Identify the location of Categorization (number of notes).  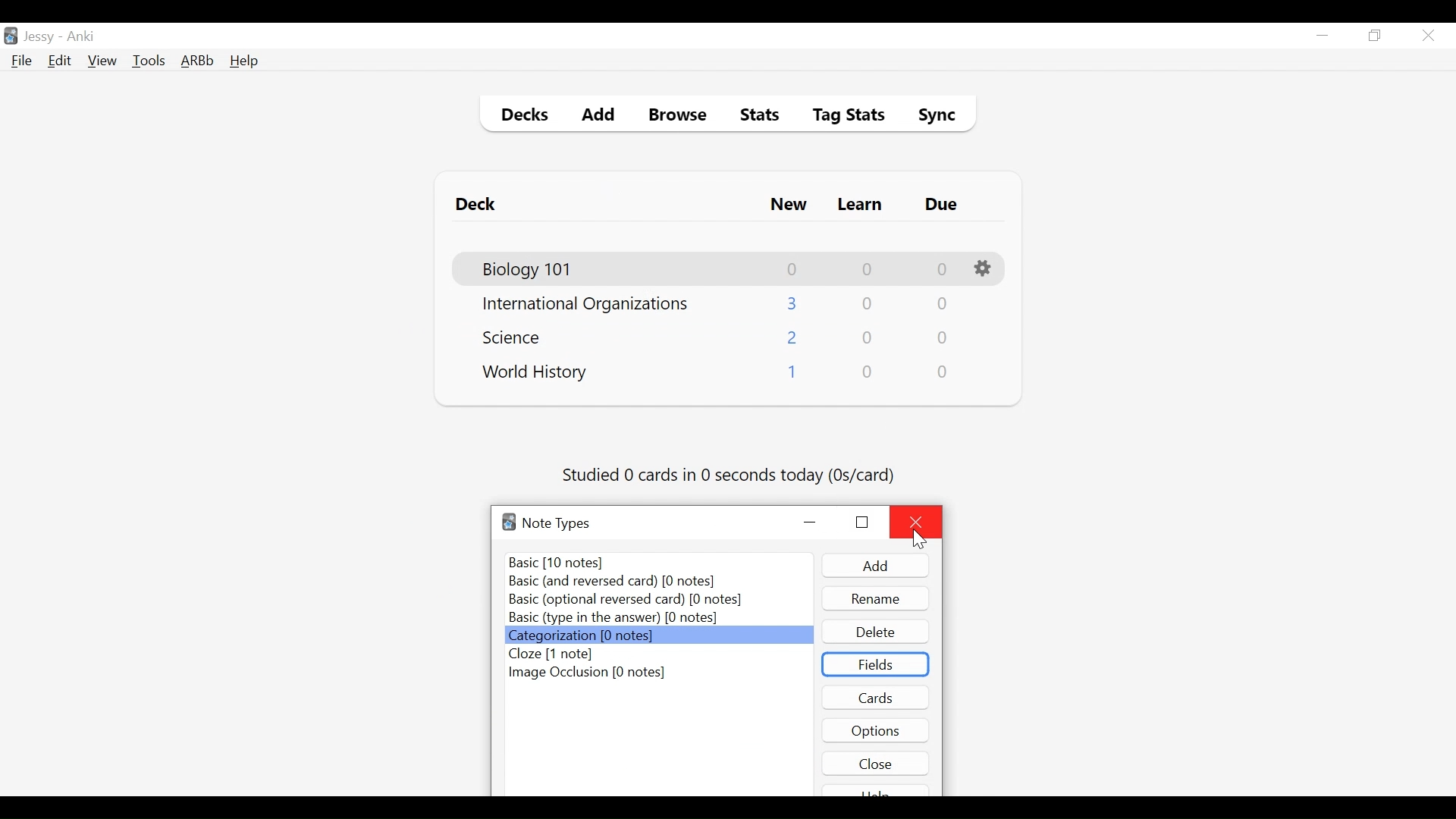
(657, 636).